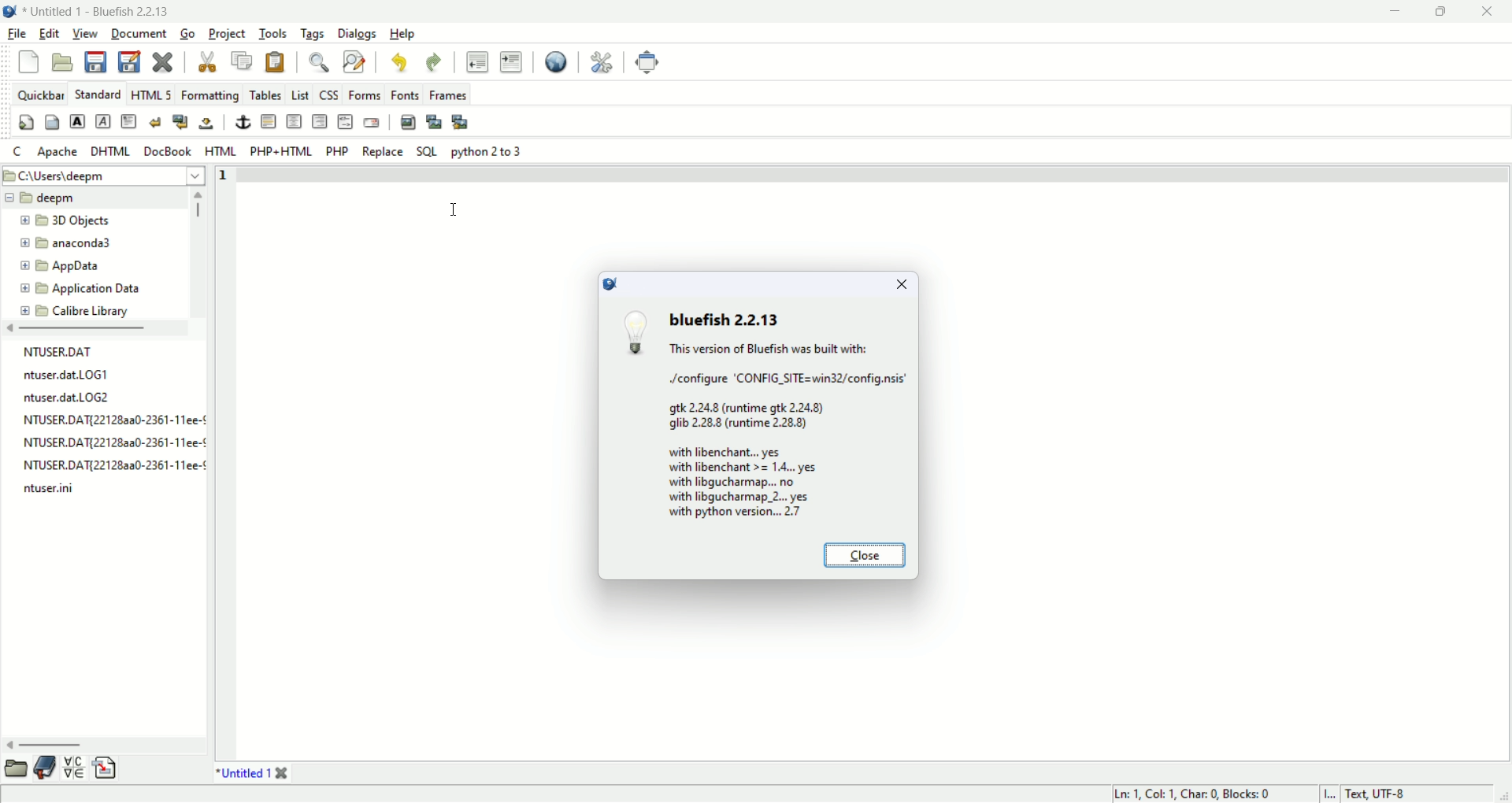  What do you see at coordinates (187, 35) in the screenshot?
I see `go` at bounding box center [187, 35].